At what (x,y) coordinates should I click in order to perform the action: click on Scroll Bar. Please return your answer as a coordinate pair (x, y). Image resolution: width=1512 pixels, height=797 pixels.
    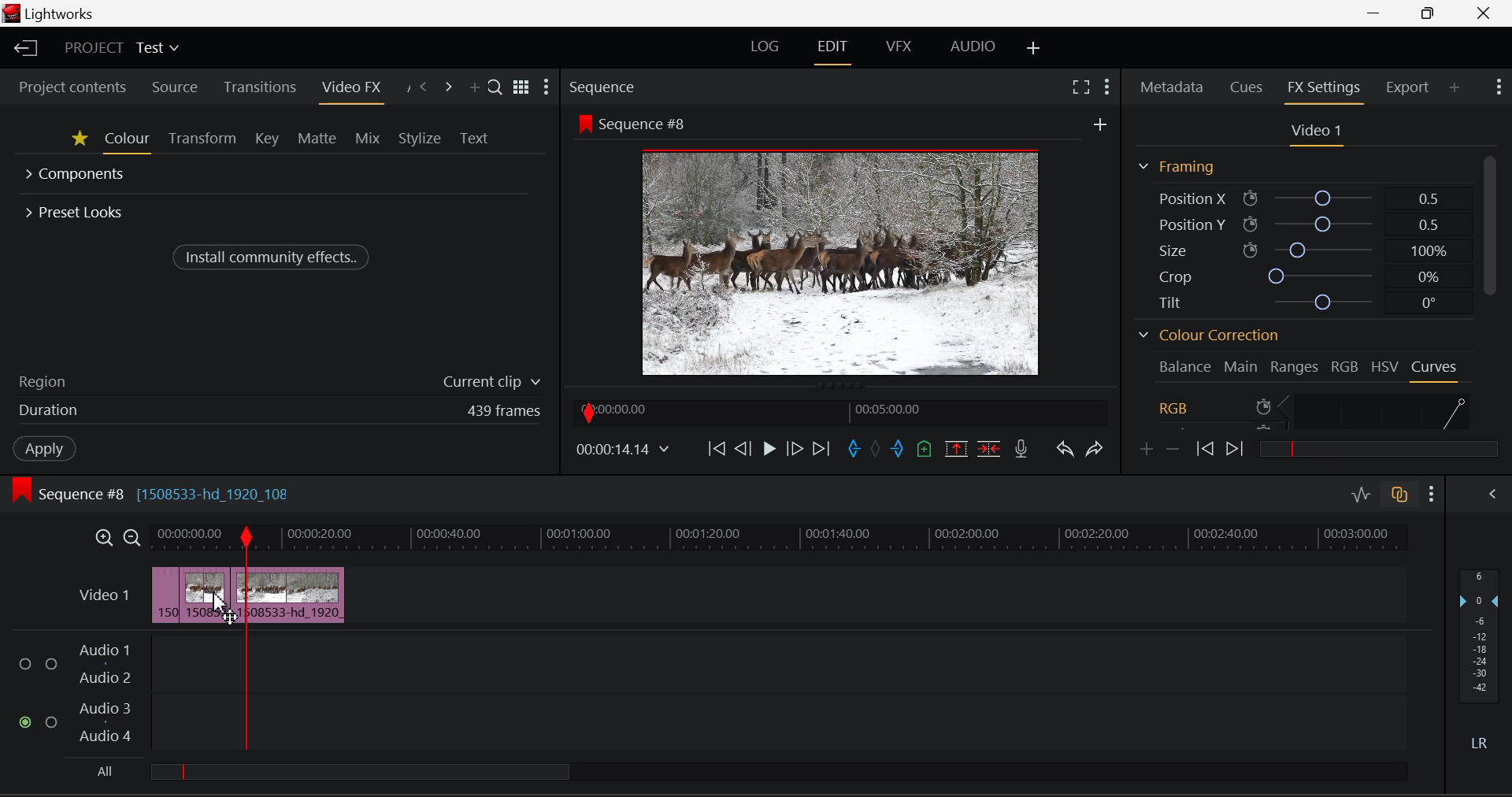
    Looking at the image, I should click on (1494, 294).